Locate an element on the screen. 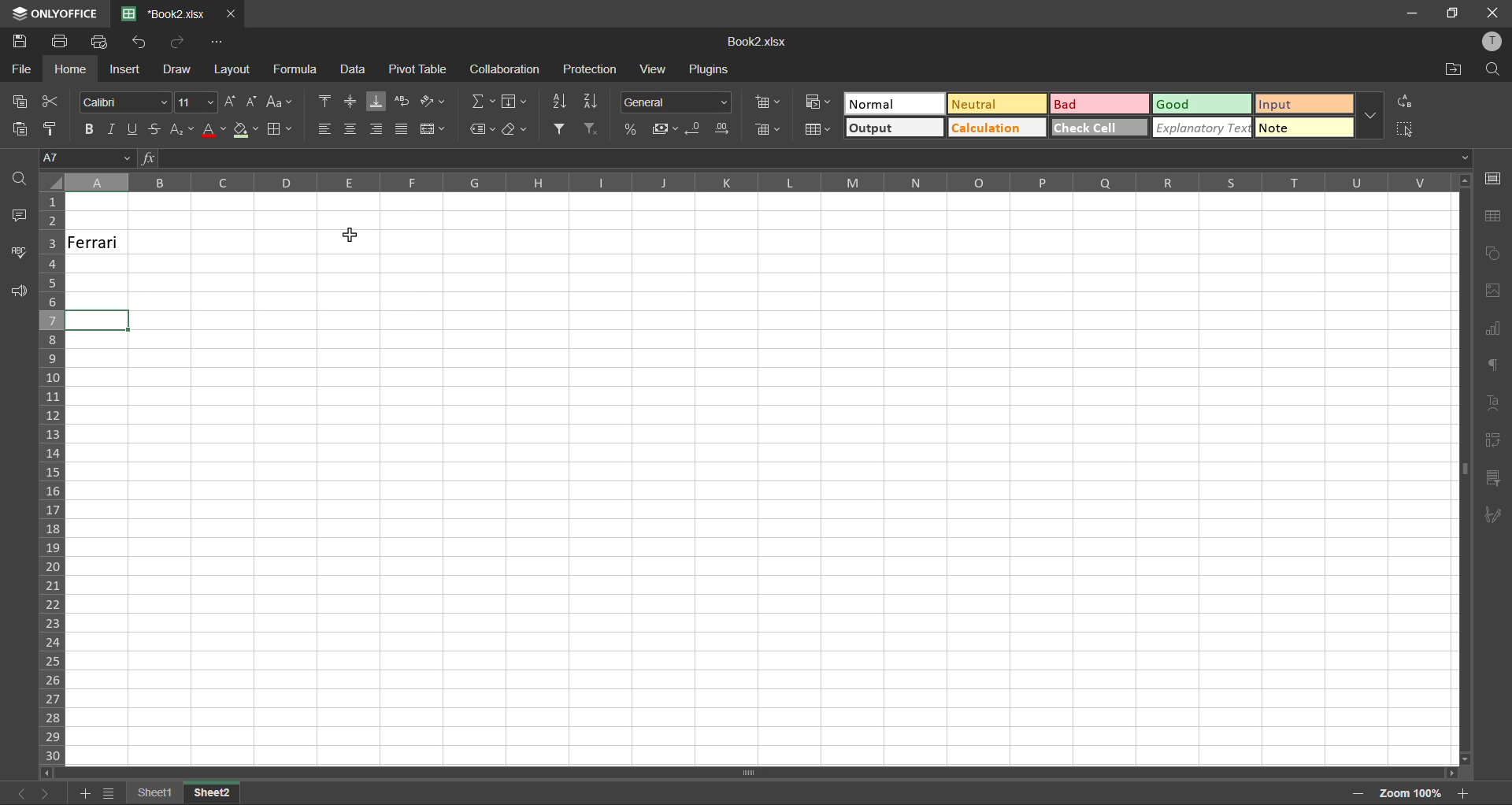 The width and height of the screenshot is (1512, 805). good is located at coordinates (1200, 105).